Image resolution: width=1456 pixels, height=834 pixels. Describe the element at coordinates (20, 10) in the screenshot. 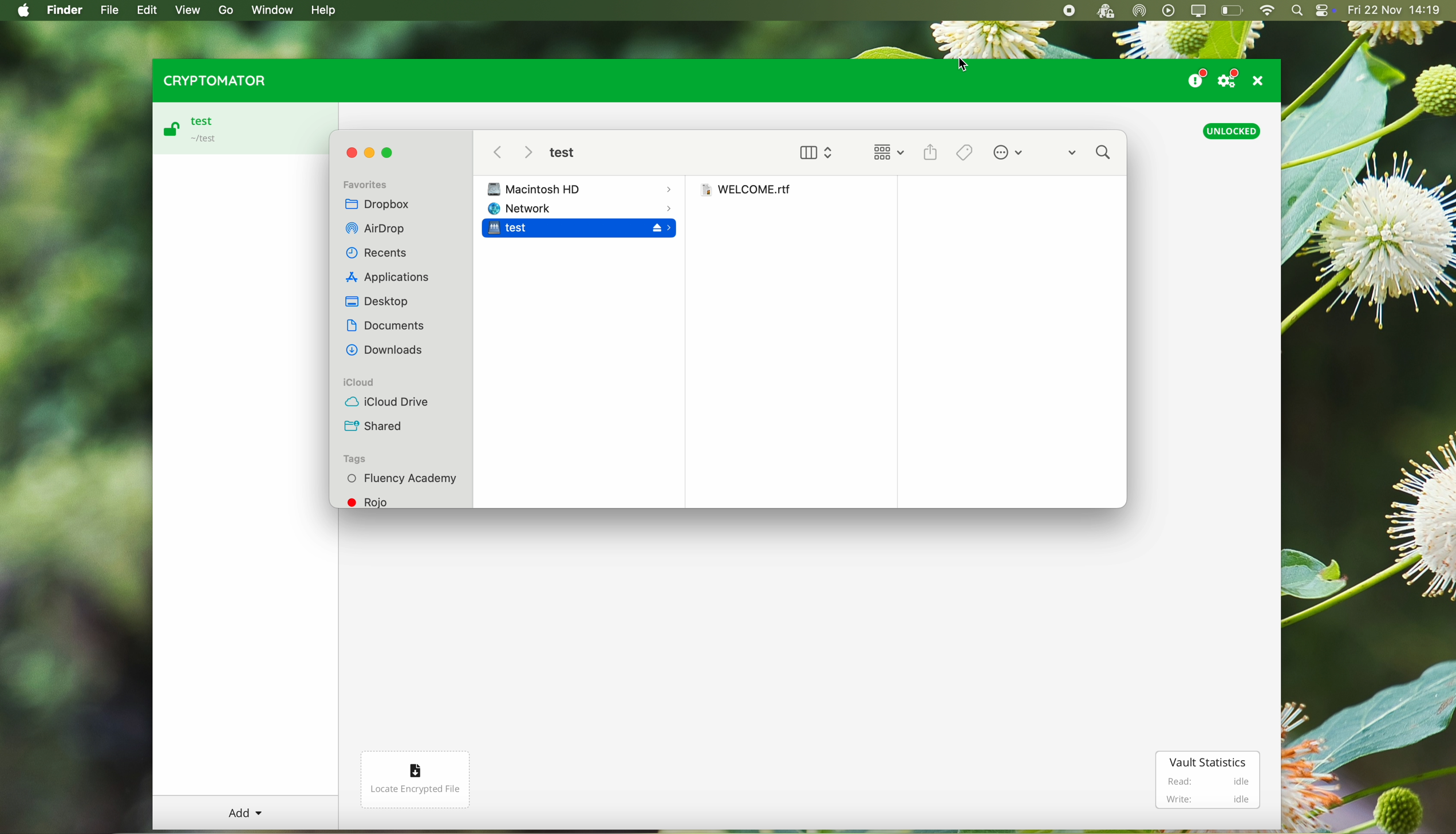

I see `Apple icon` at that location.